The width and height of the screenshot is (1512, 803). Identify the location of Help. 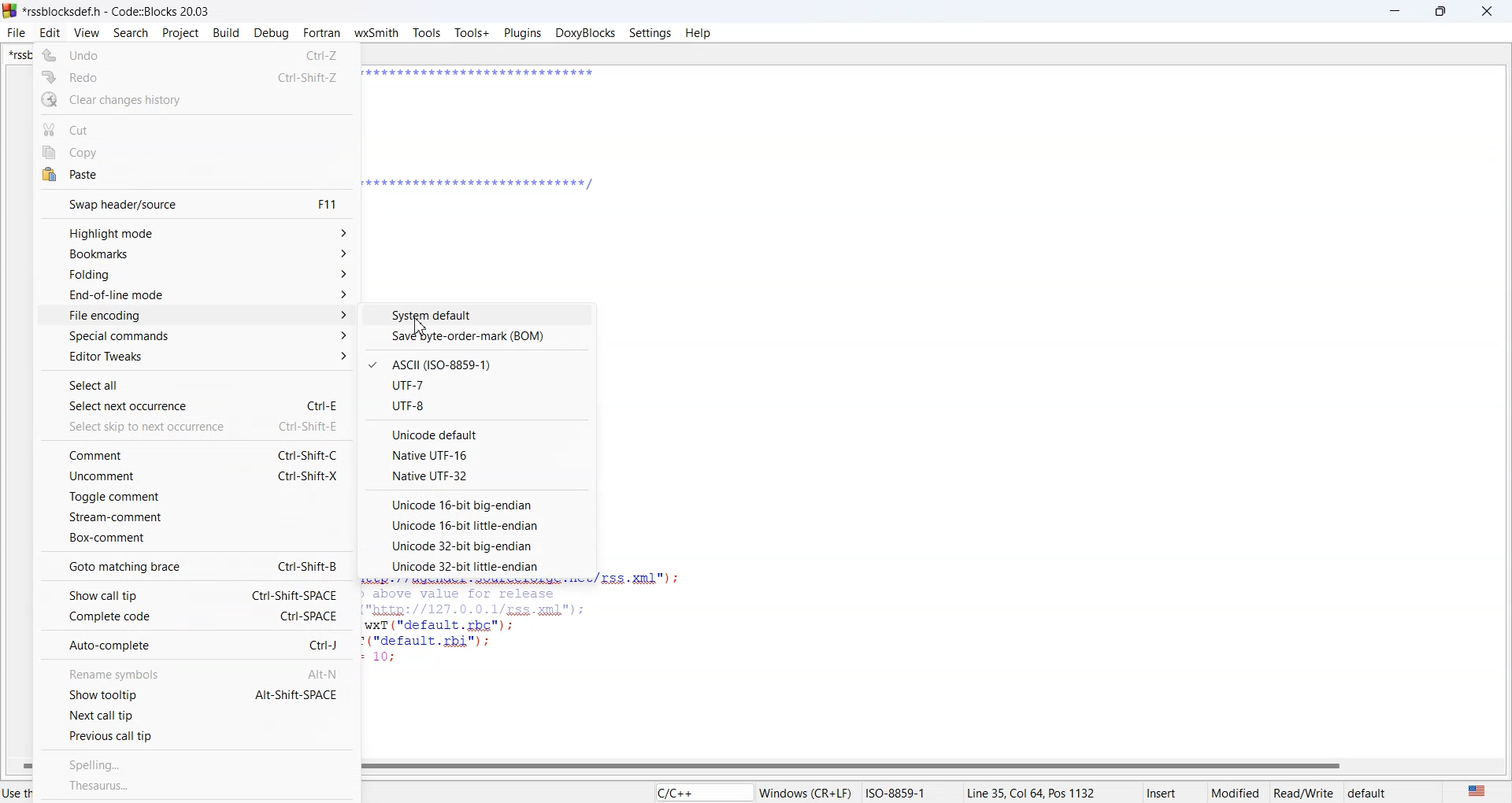
(699, 32).